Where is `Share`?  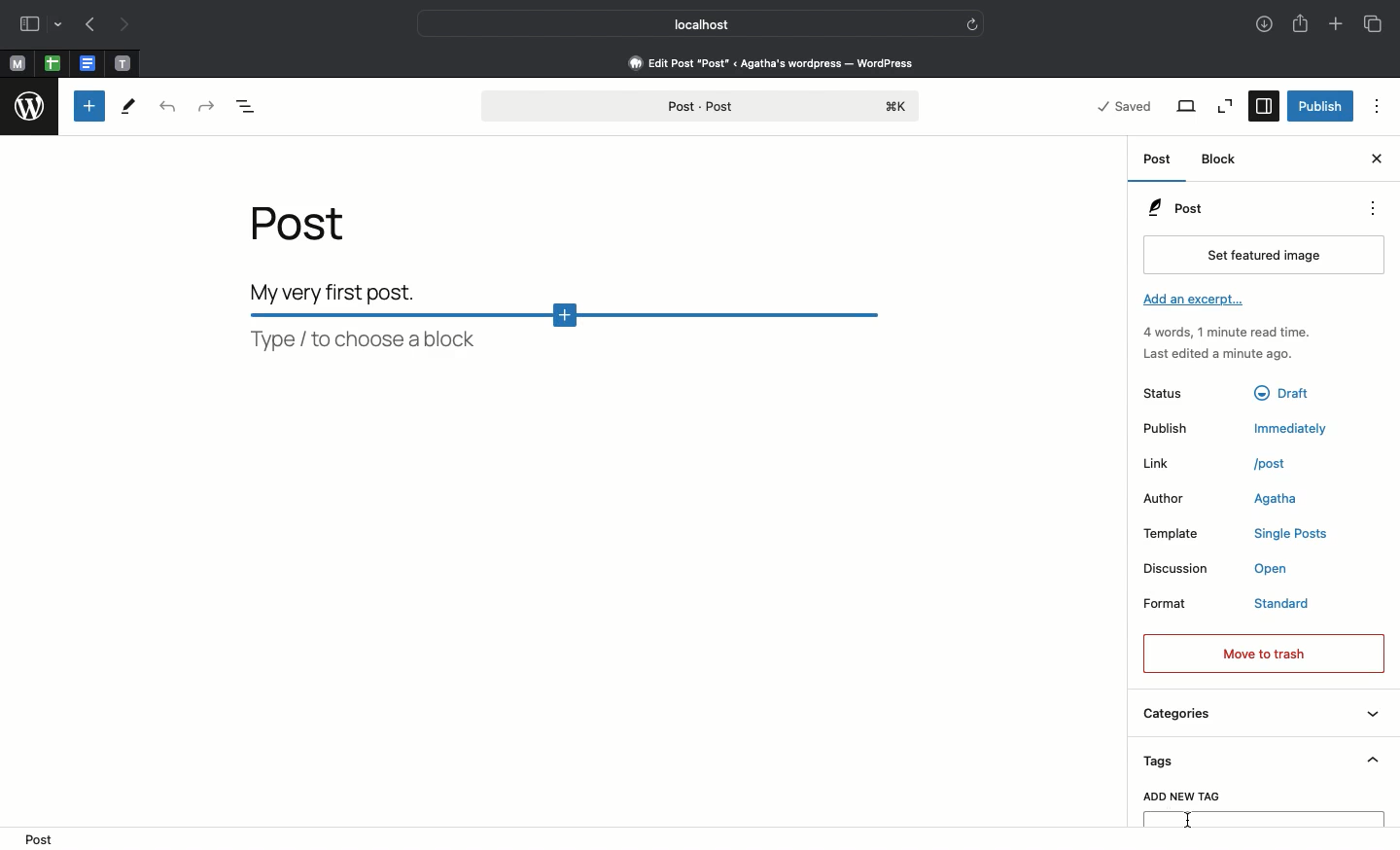 Share is located at coordinates (1300, 25).